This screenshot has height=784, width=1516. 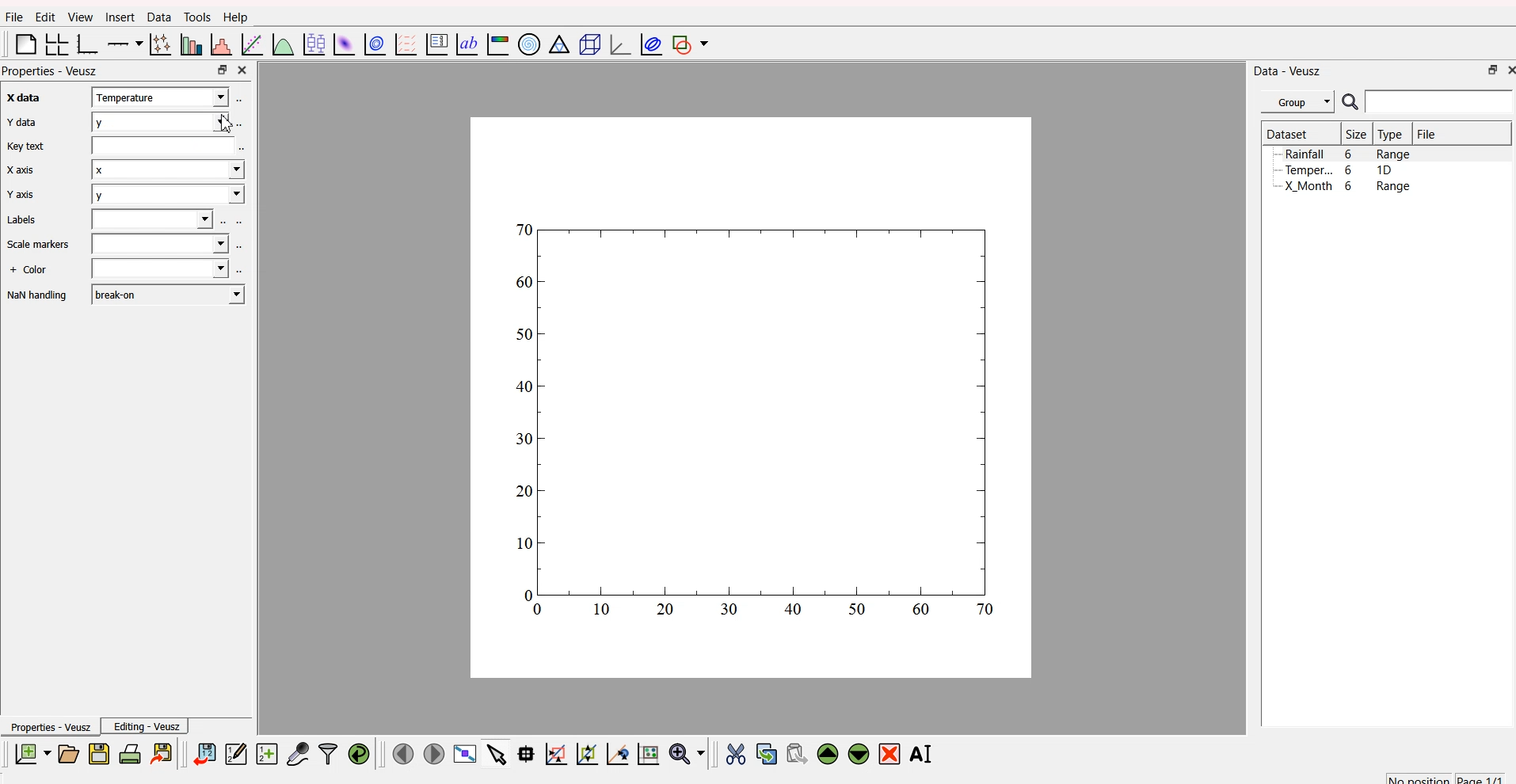 What do you see at coordinates (266, 753) in the screenshot?
I see `create a new dataset` at bounding box center [266, 753].